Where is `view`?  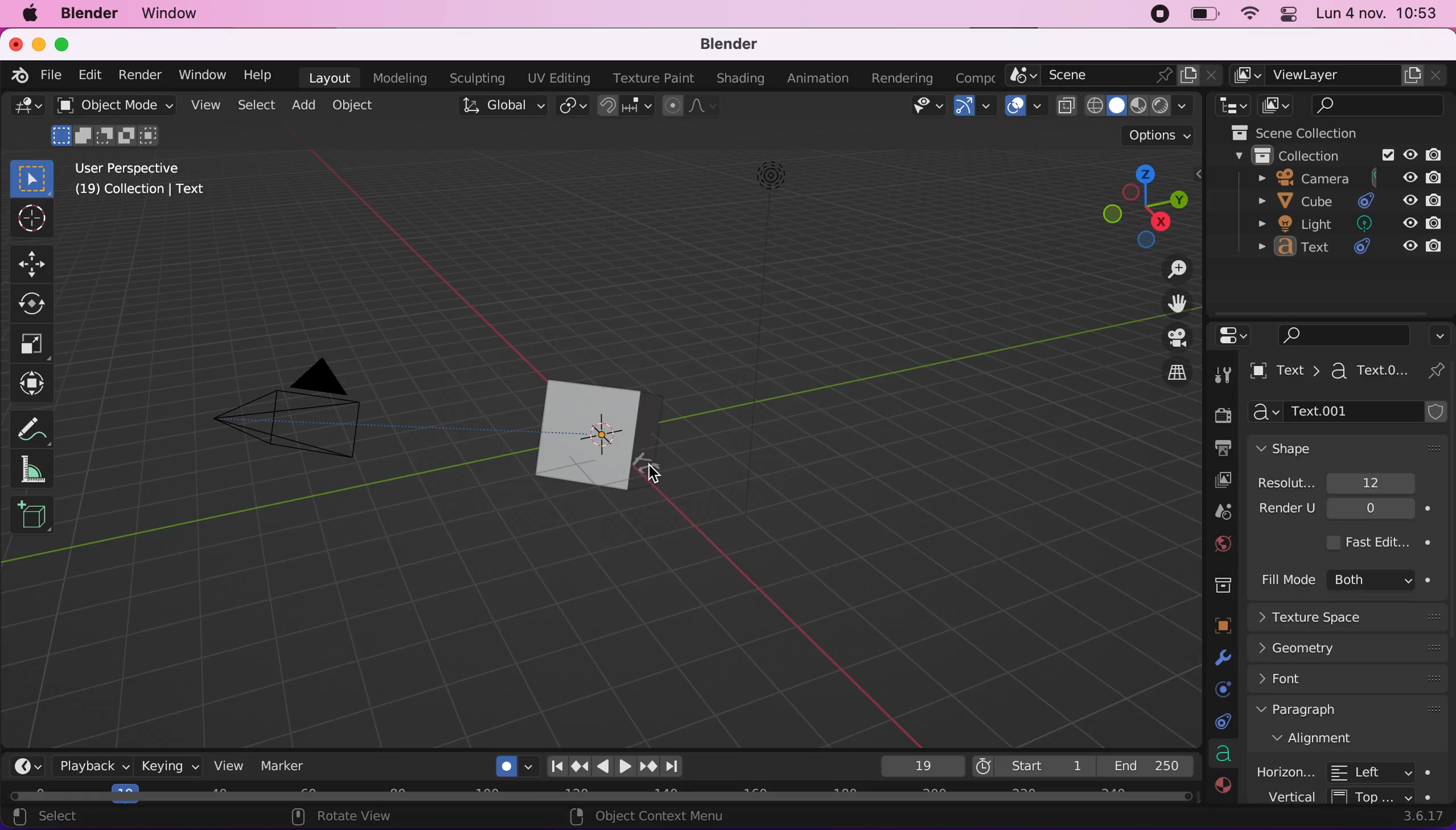
view is located at coordinates (227, 765).